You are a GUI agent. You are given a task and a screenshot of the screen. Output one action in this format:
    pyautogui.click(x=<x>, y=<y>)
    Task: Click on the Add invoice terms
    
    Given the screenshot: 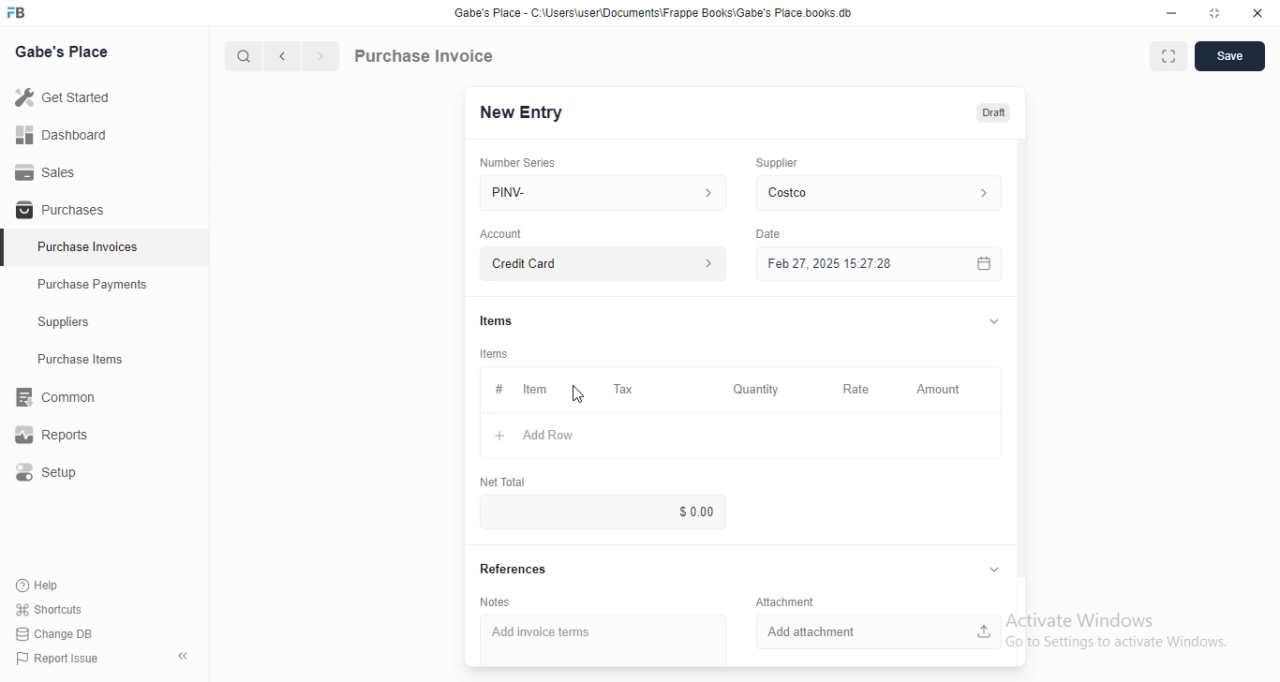 What is the action you would take?
    pyautogui.click(x=603, y=640)
    